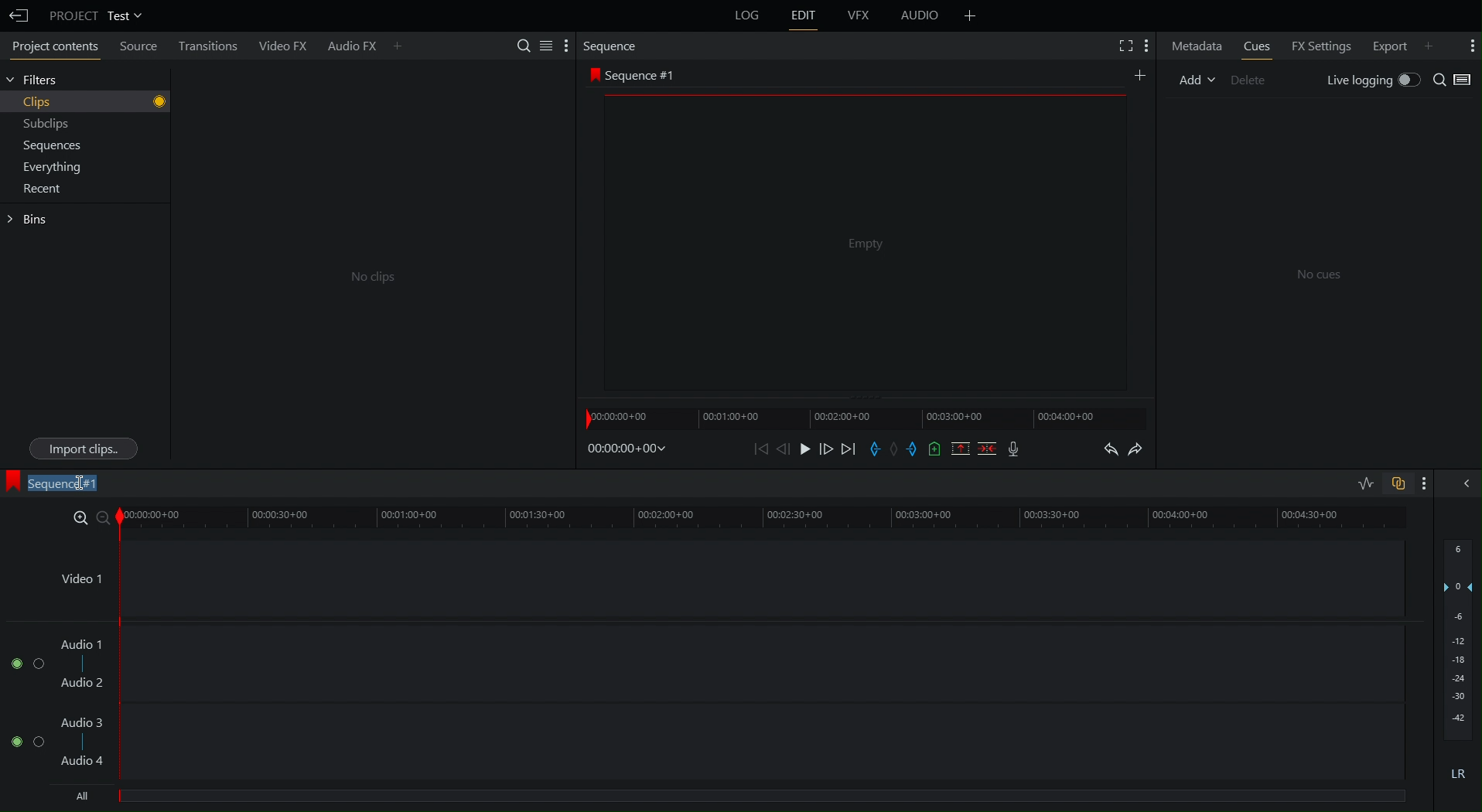 The width and height of the screenshot is (1482, 812). I want to click on More, so click(1468, 44).